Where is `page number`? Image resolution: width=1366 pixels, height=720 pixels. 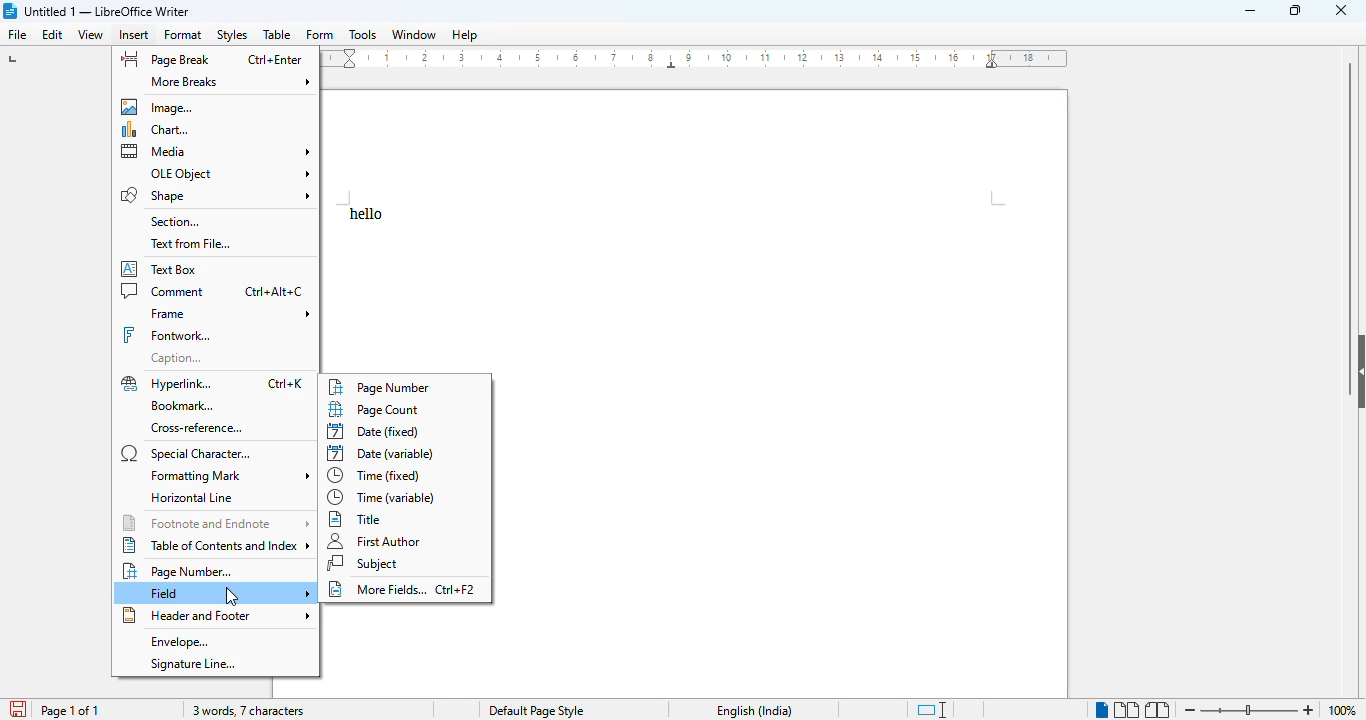
page number is located at coordinates (179, 570).